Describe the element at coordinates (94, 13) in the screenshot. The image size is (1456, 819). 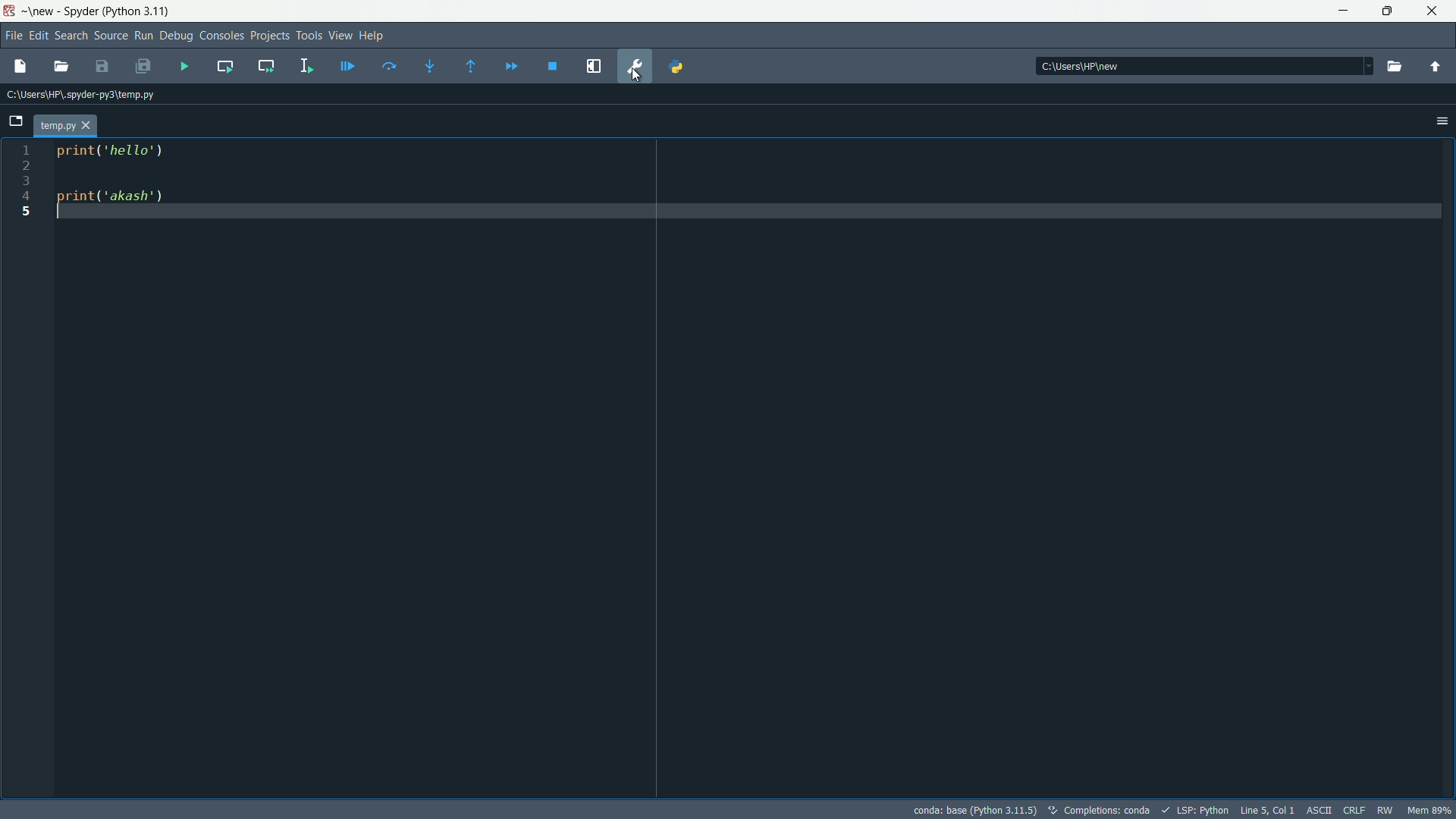
I see `app name - spyder` at that location.